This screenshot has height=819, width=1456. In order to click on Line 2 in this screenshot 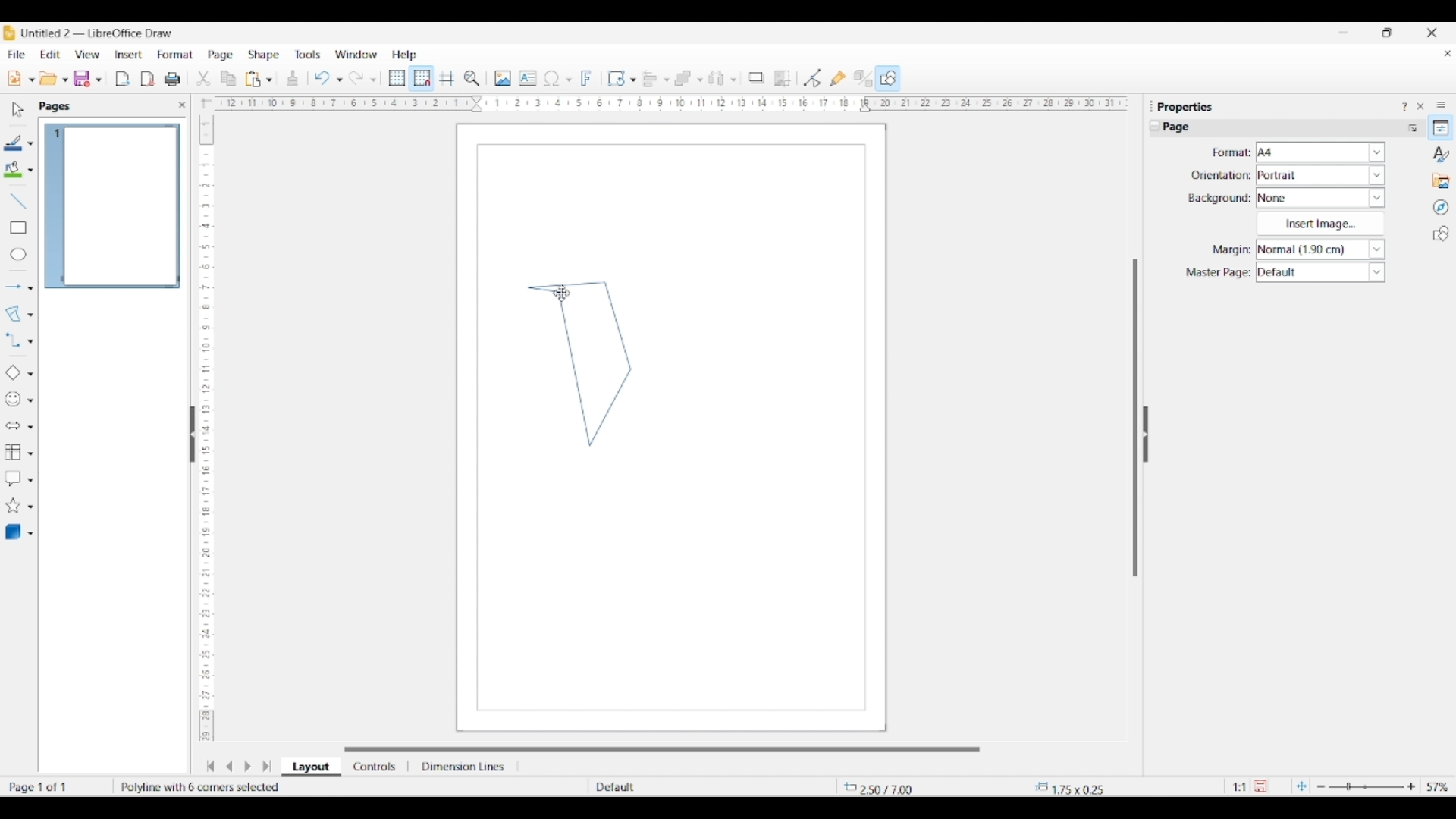, I will do `click(610, 406)`.